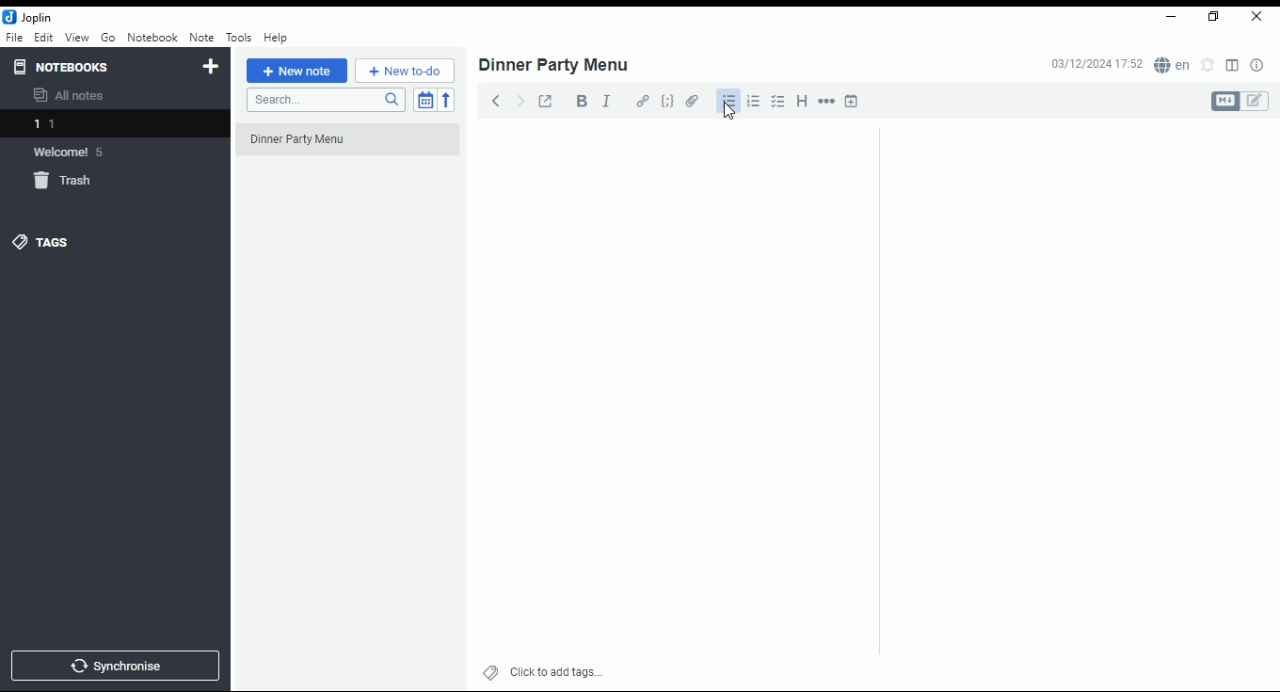  What do you see at coordinates (405, 71) in the screenshot?
I see `new to-do list` at bounding box center [405, 71].